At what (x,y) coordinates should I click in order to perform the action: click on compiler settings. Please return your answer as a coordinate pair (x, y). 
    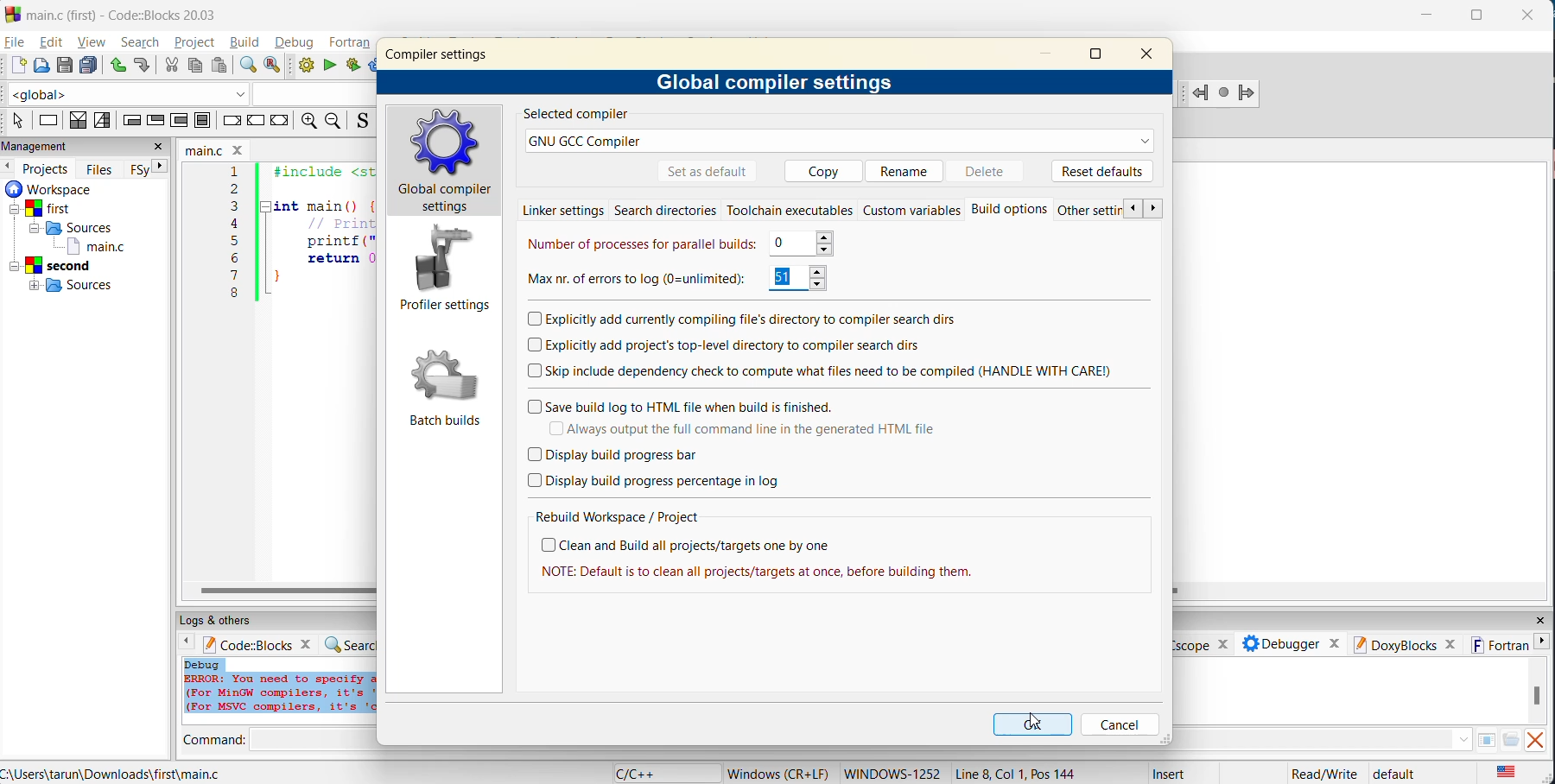
    Looking at the image, I should click on (443, 59).